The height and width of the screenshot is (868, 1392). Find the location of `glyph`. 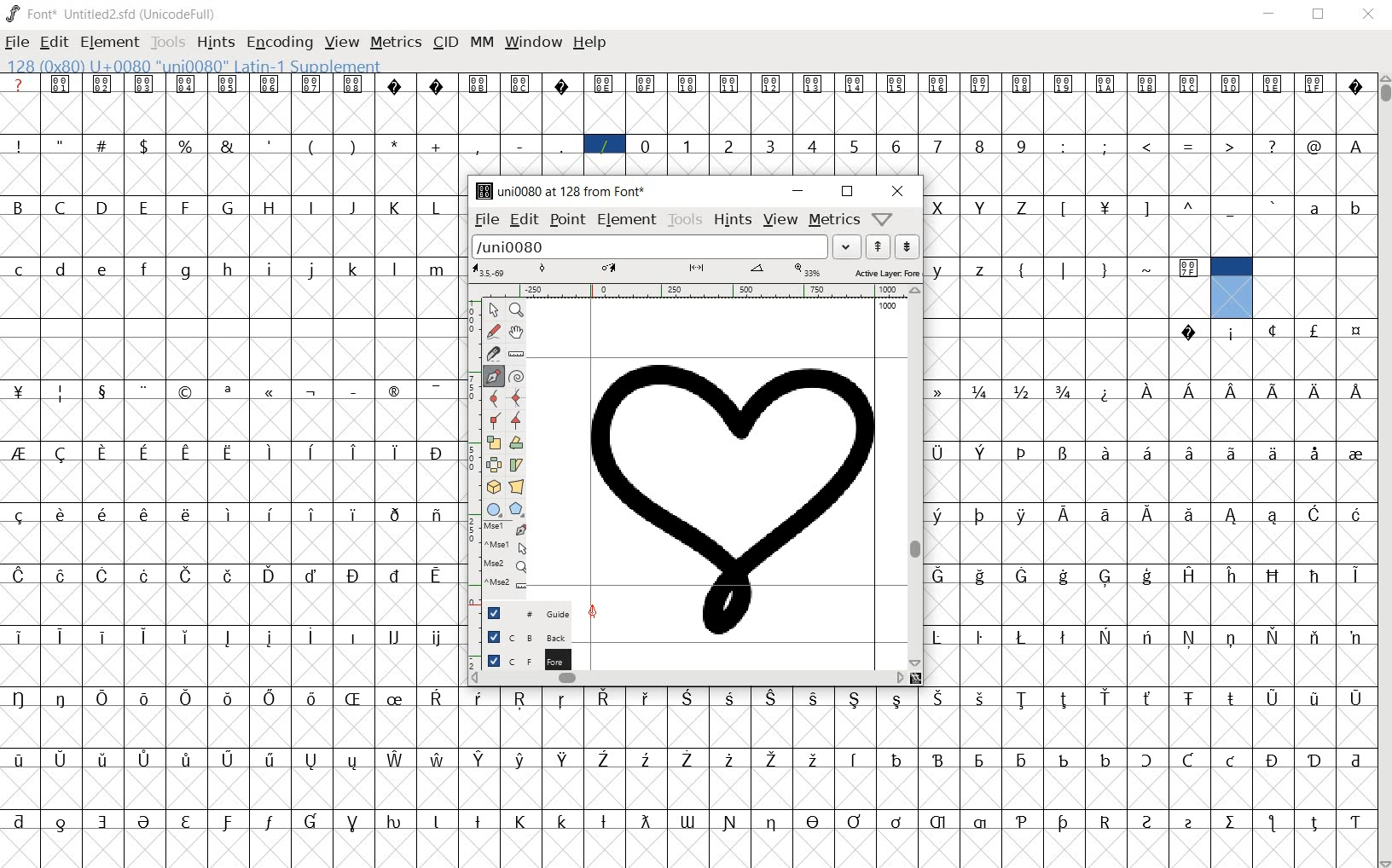

glyph is located at coordinates (19, 760).